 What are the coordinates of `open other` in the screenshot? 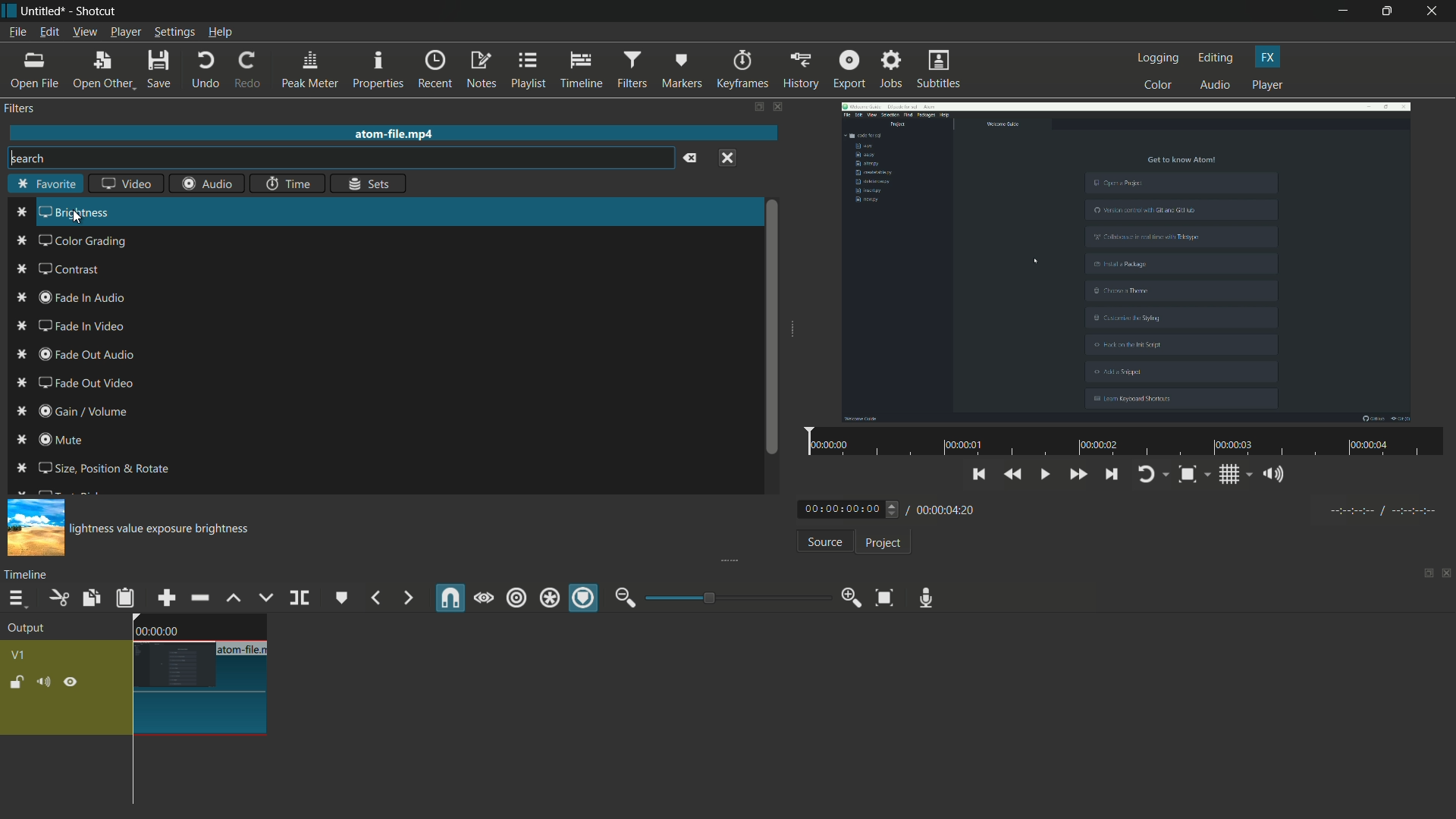 It's located at (103, 71).